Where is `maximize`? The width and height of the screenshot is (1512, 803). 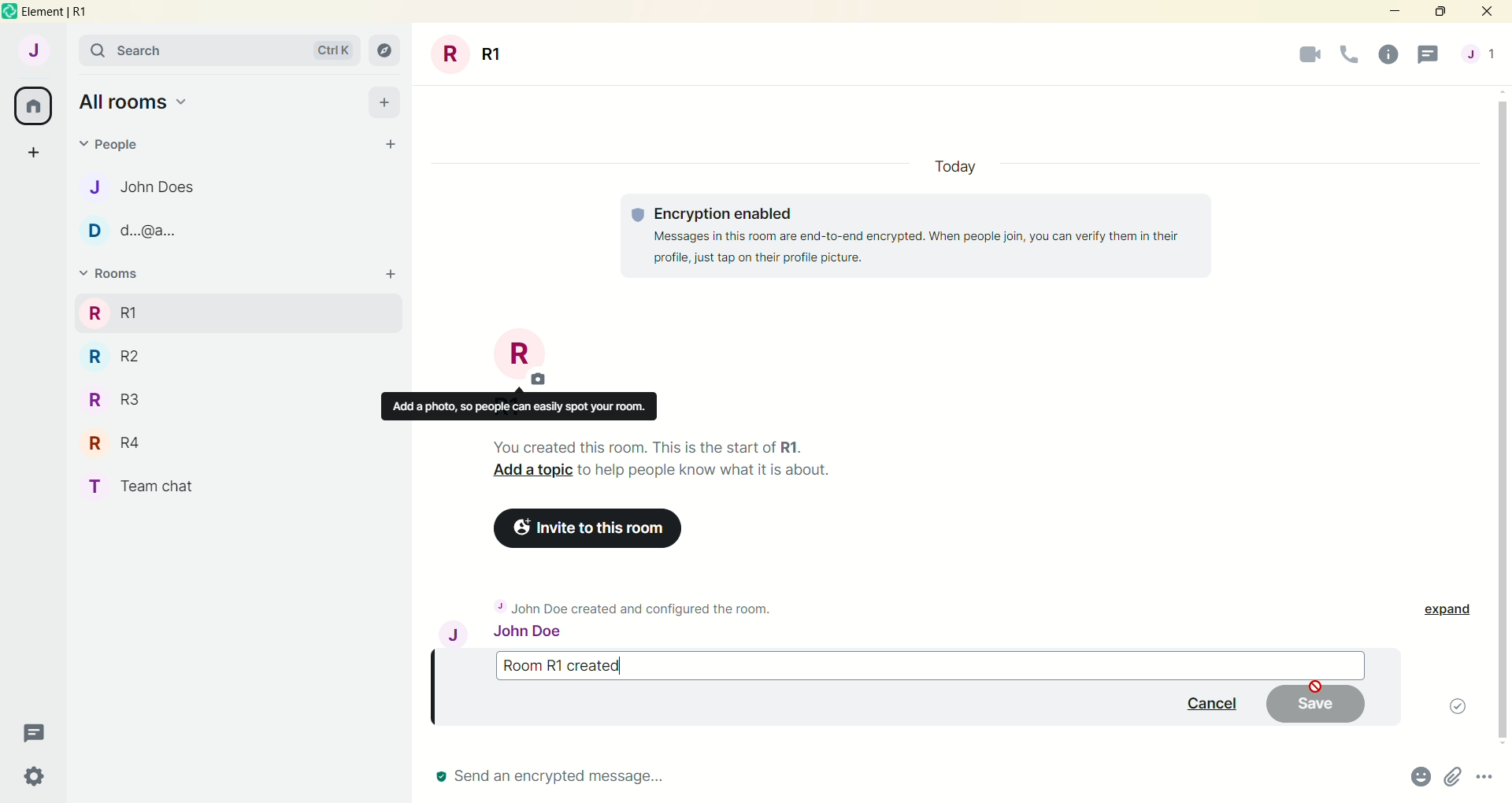
maximize is located at coordinates (1440, 13).